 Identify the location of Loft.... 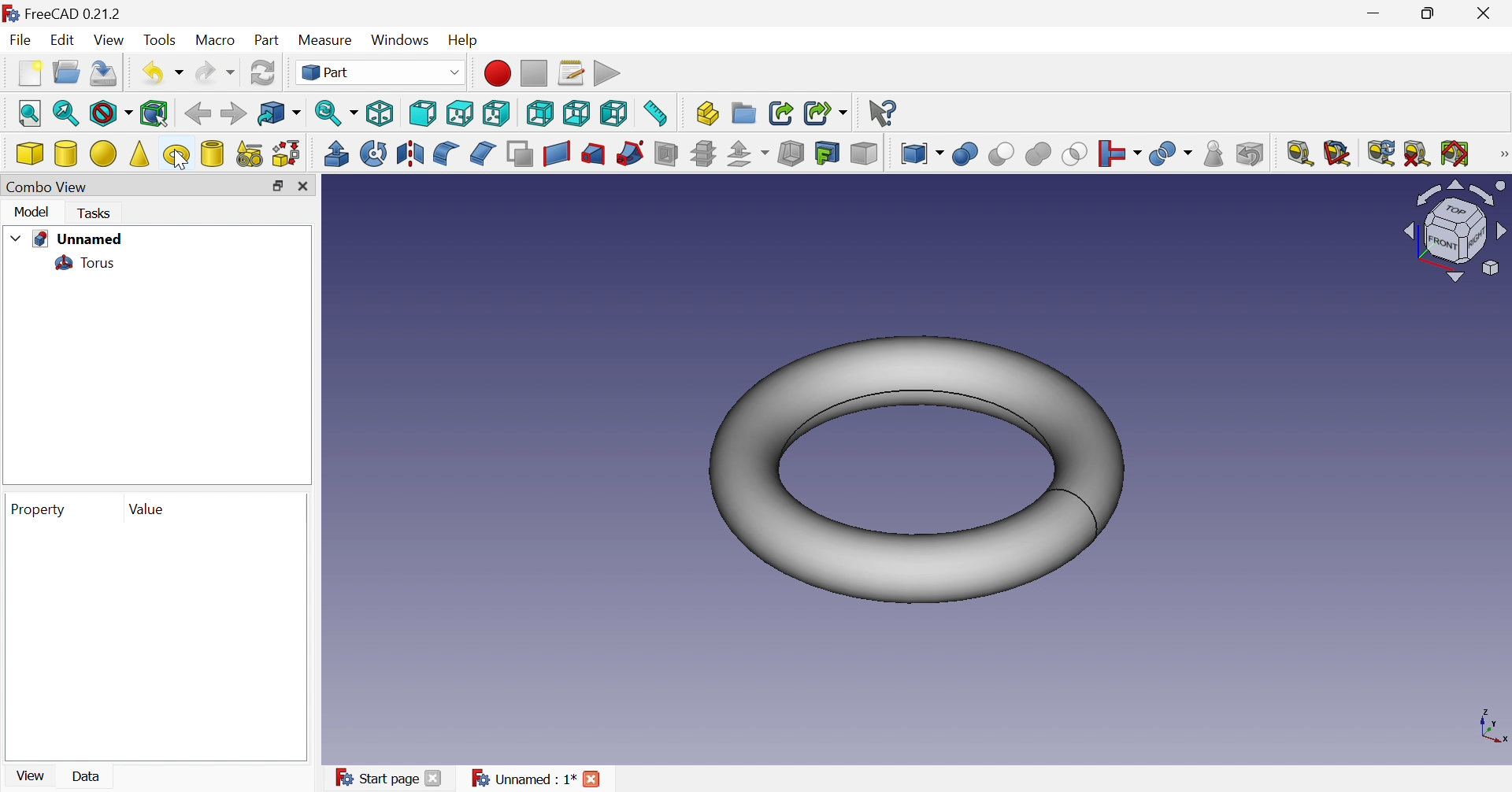
(594, 154).